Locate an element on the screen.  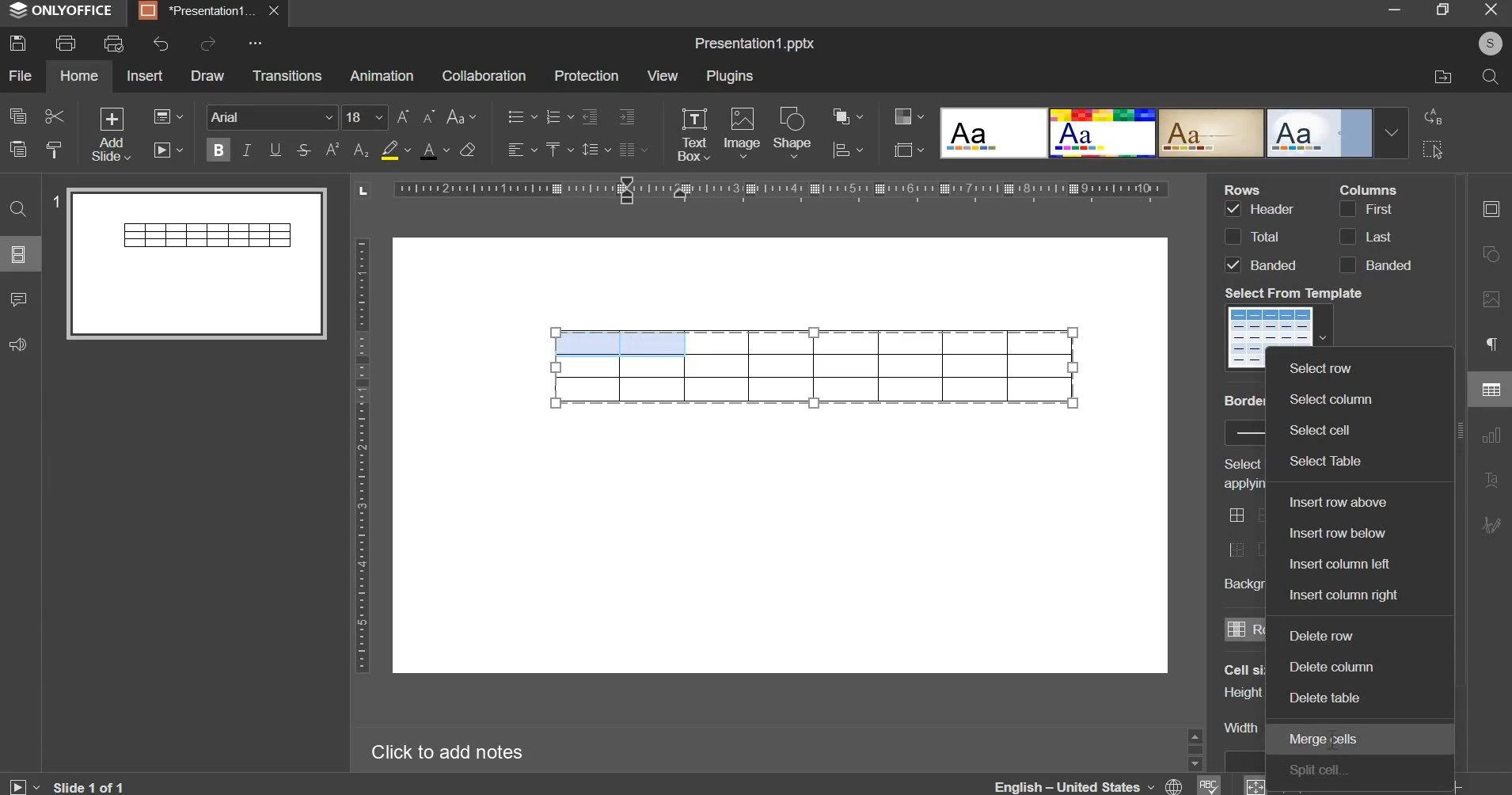
Cell size's column is located at coordinates (1244, 700).